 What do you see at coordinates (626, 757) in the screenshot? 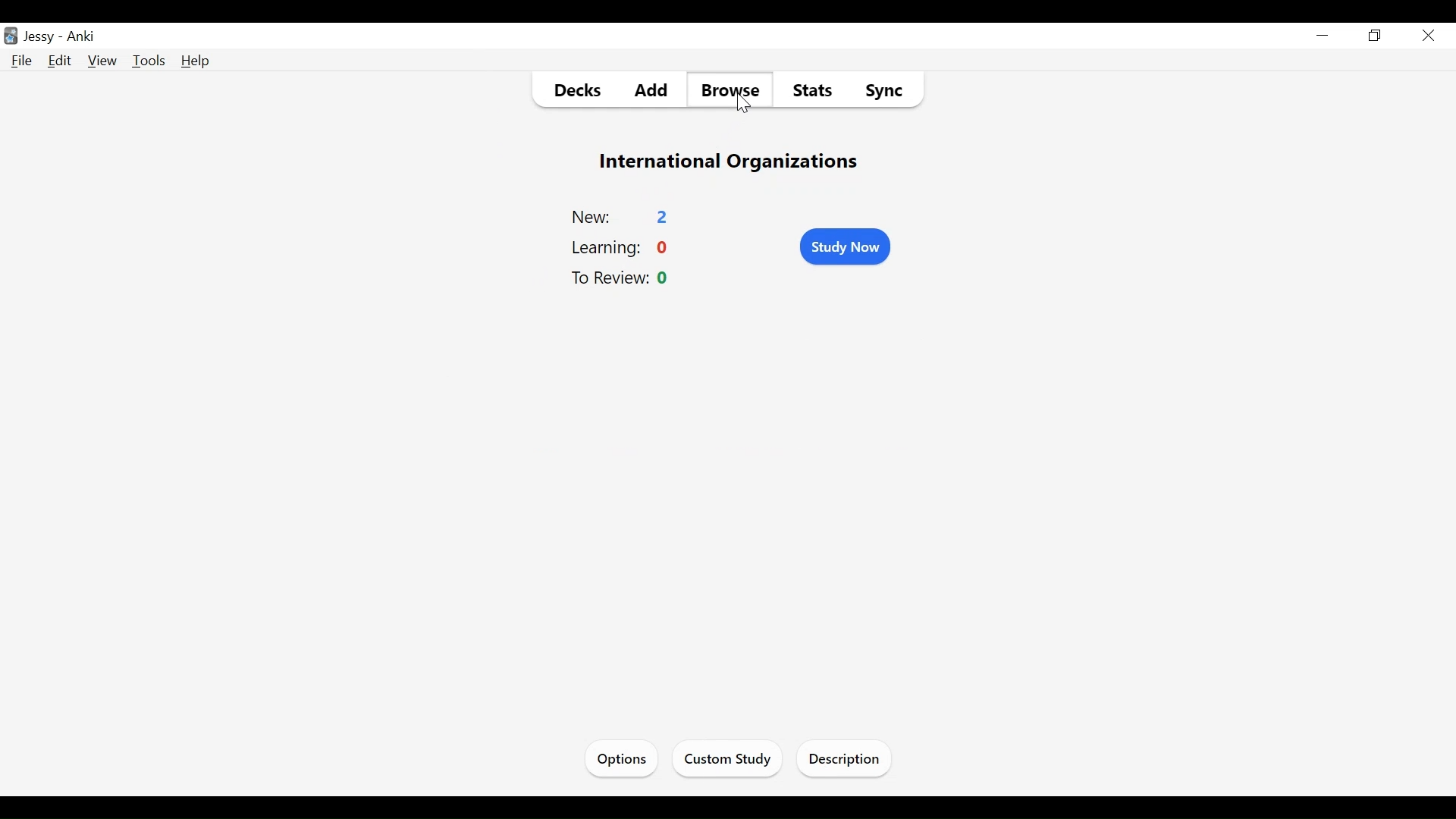
I see `Get Started` at bounding box center [626, 757].